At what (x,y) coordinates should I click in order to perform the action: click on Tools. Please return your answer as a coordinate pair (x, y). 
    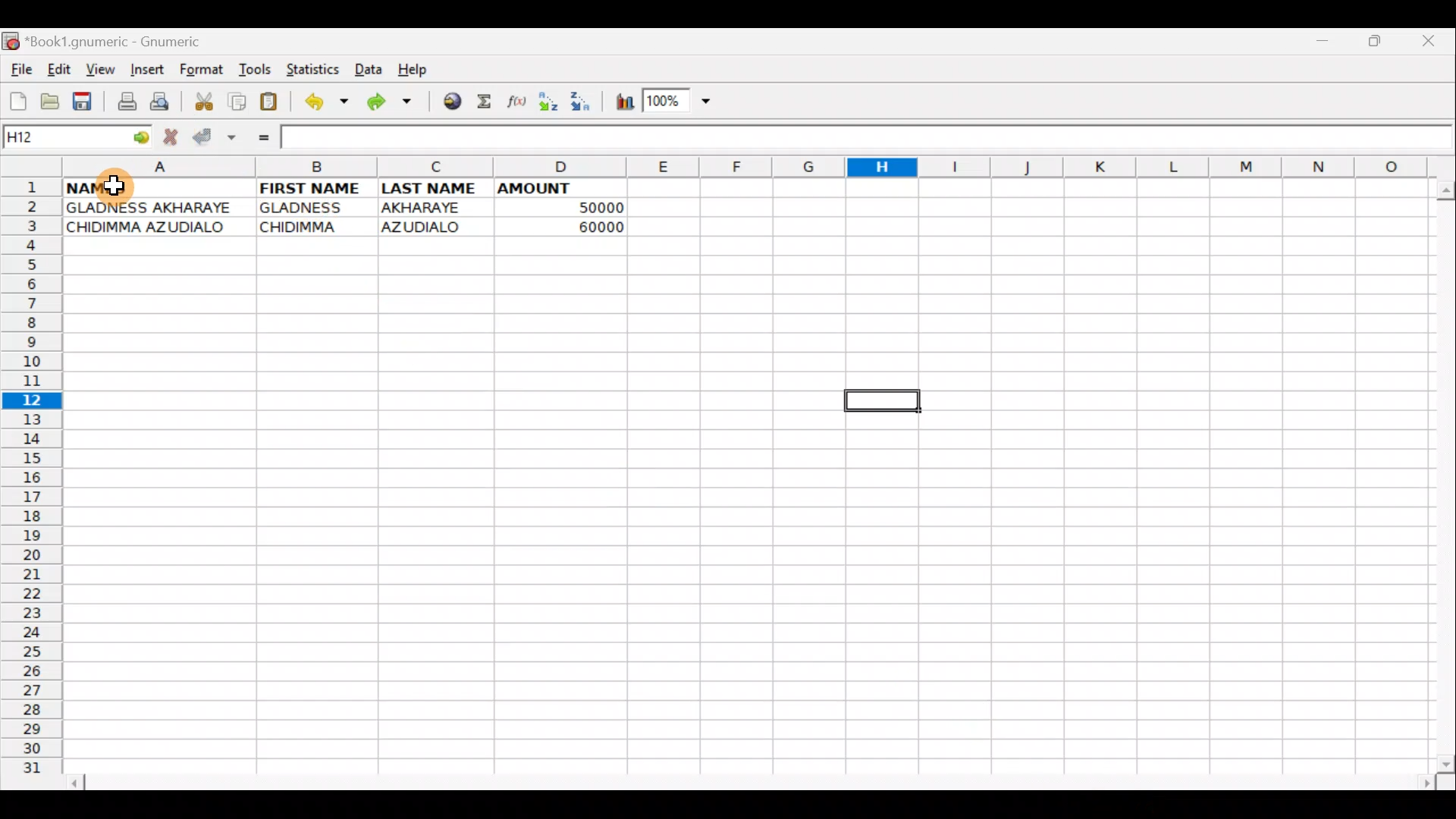
    Looking at the image, I should click on (258, 71).